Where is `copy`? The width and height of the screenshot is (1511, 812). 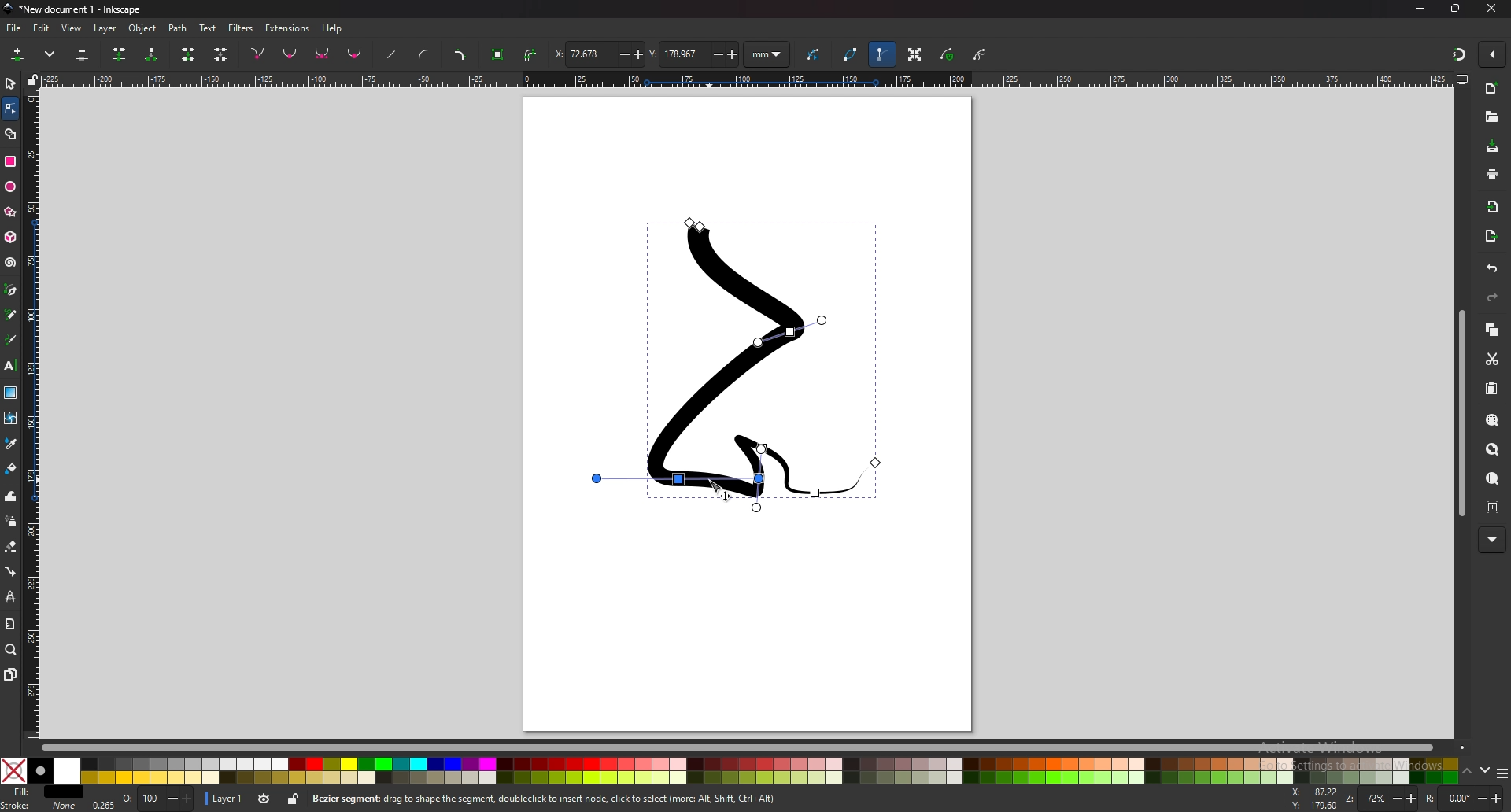 copy is located at coordinates (1493, 331).